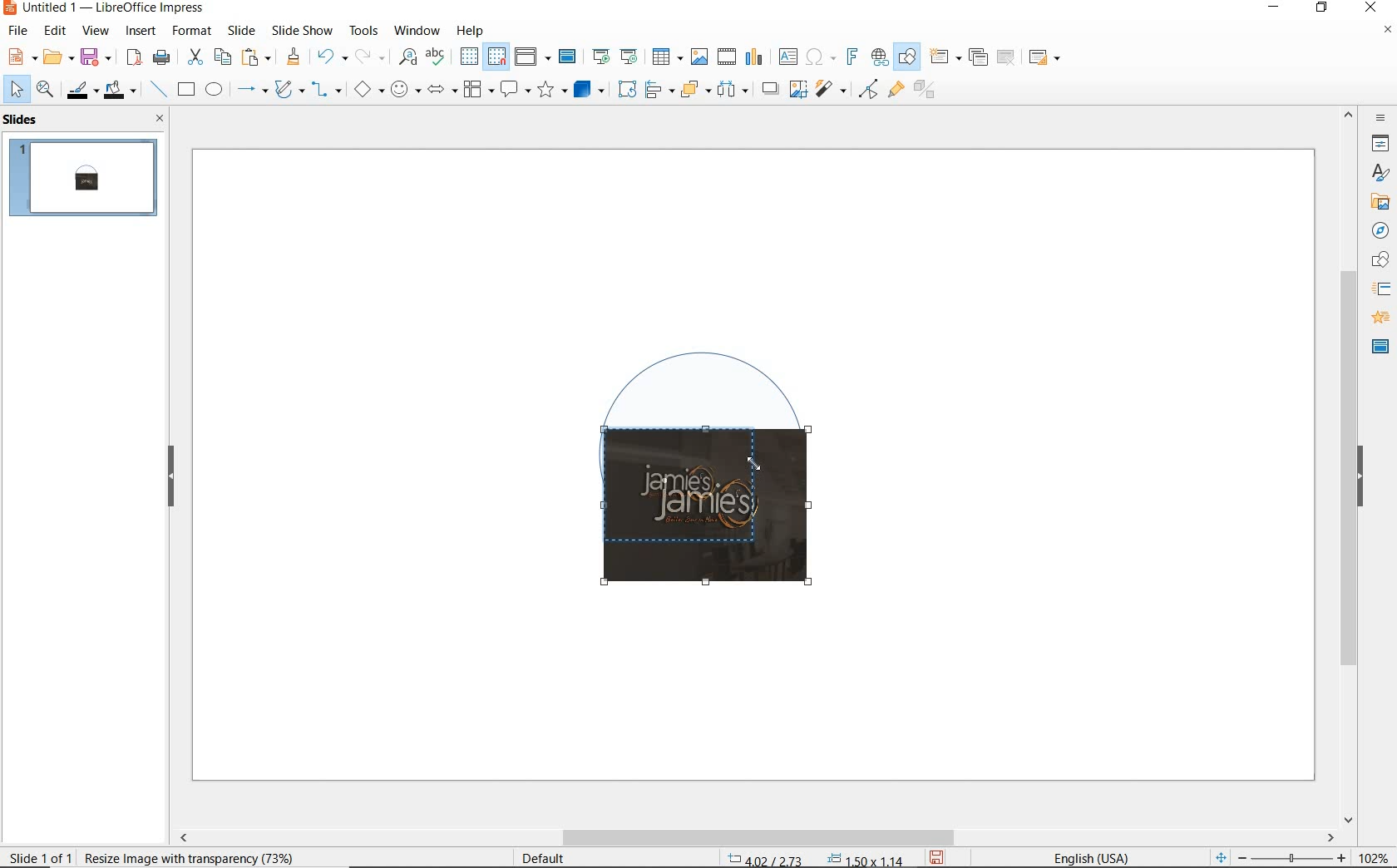 The height and width of the screenshot is (868, 1397). I want to click on 3d objects, so click(590, 90).